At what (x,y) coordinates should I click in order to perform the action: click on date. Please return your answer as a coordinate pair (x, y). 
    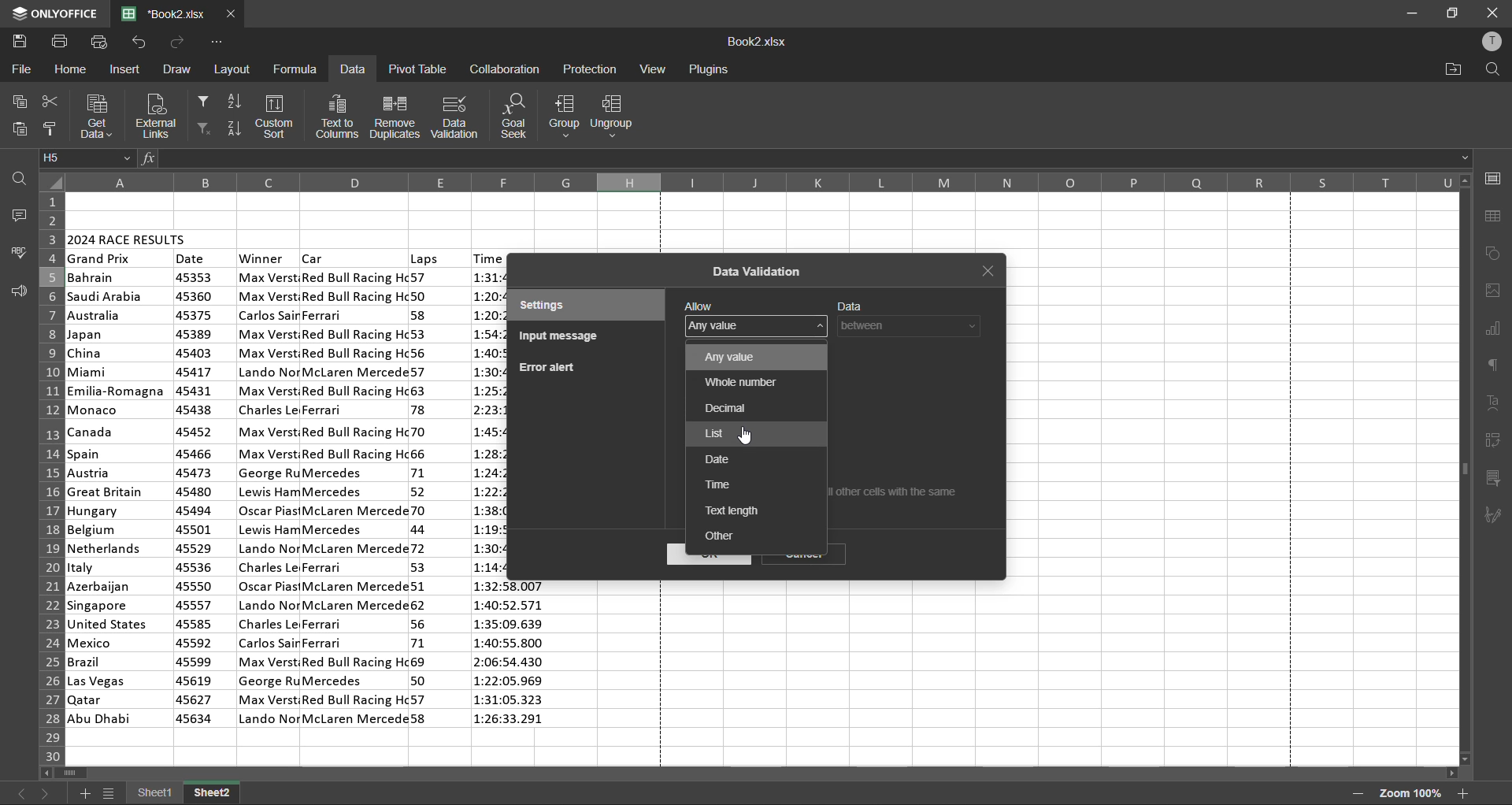
    Looking at the image, I should click on (717, 458).